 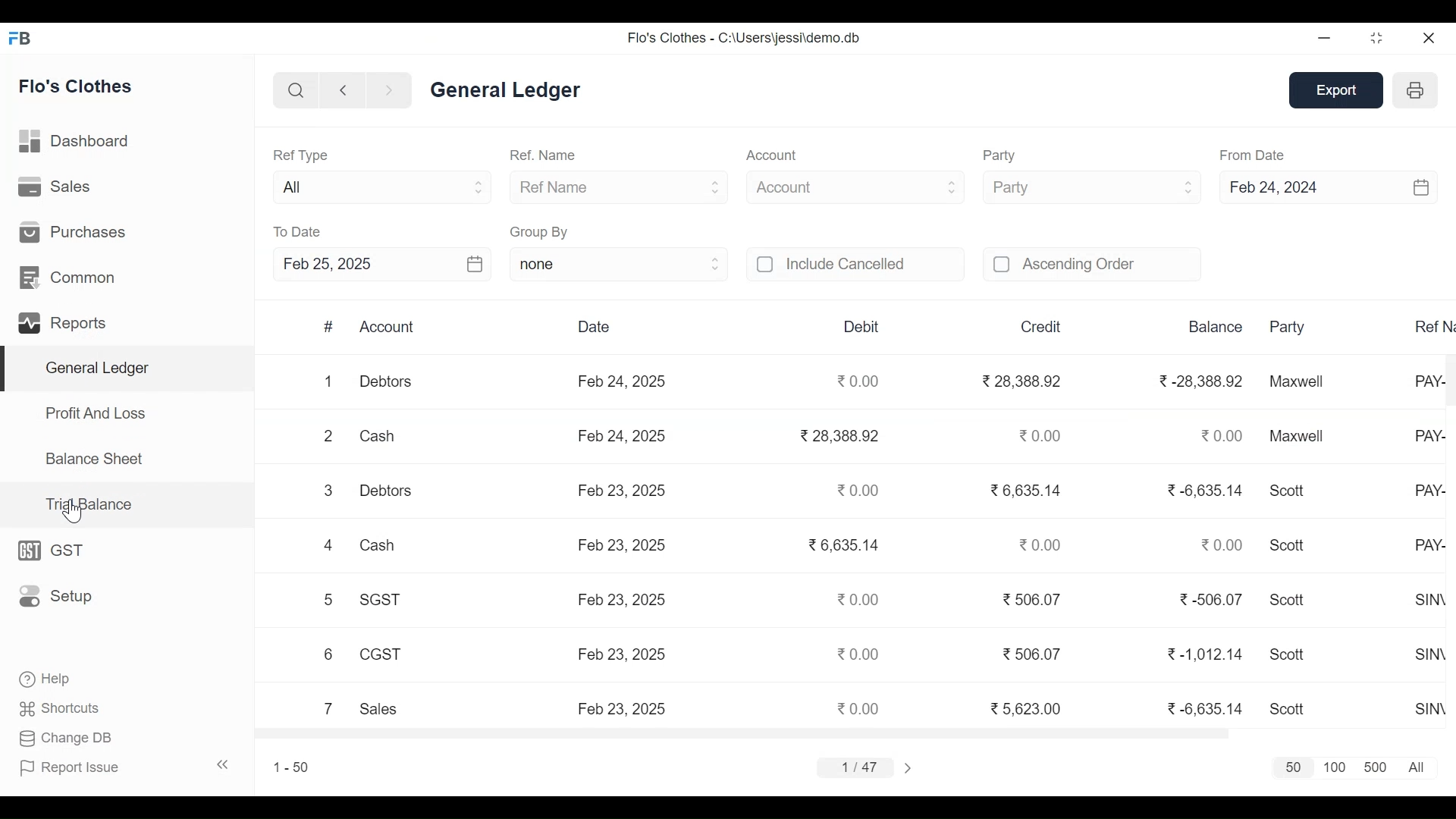 I want to click on 5, so click(x=325, y=599).